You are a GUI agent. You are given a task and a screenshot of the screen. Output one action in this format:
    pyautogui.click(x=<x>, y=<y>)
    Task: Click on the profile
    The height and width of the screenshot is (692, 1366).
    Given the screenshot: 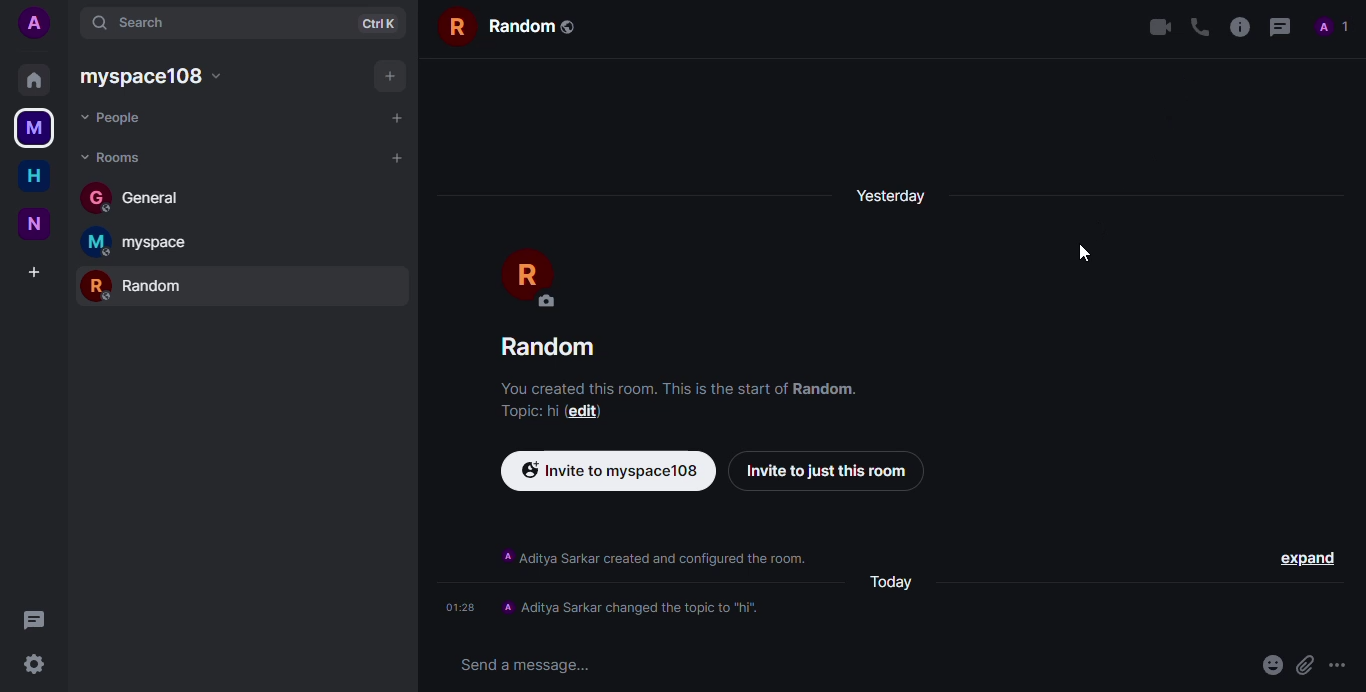 What is the action you would take?
    pyautogui.click(x=1332, y=27)
    